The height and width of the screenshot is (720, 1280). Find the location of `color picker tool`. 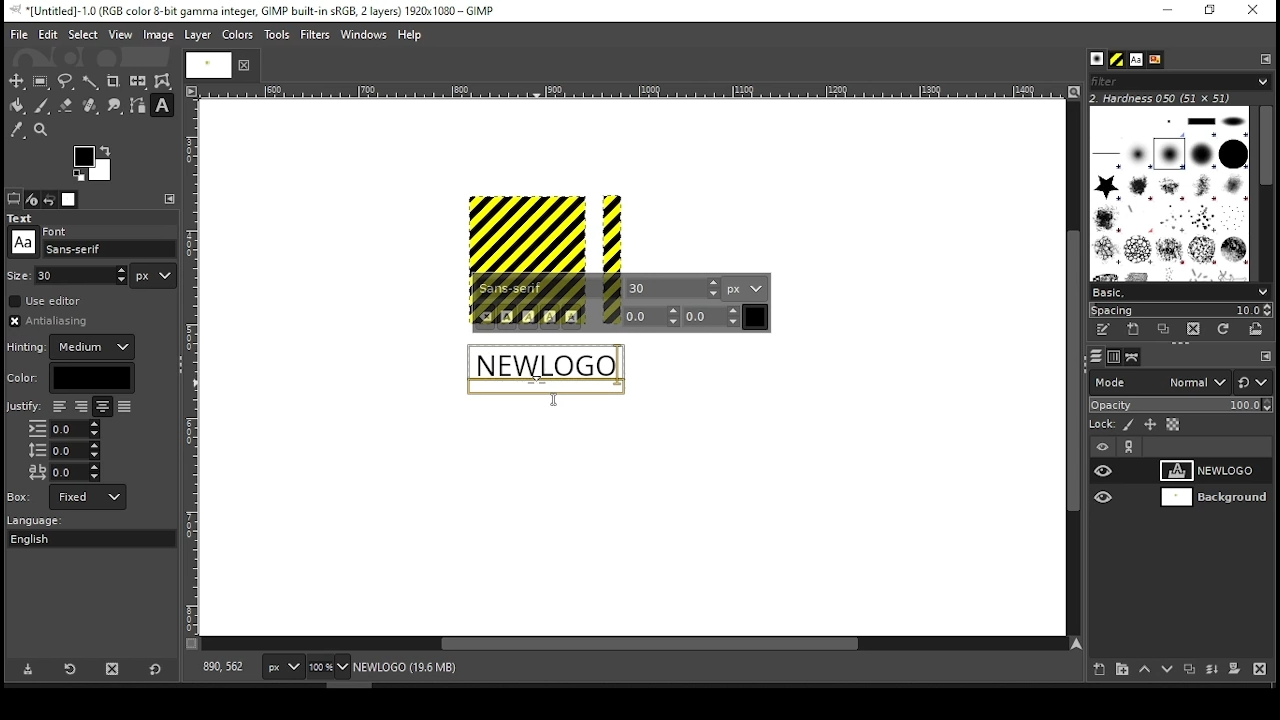

color picker tool is located at coordinates (16, 132).